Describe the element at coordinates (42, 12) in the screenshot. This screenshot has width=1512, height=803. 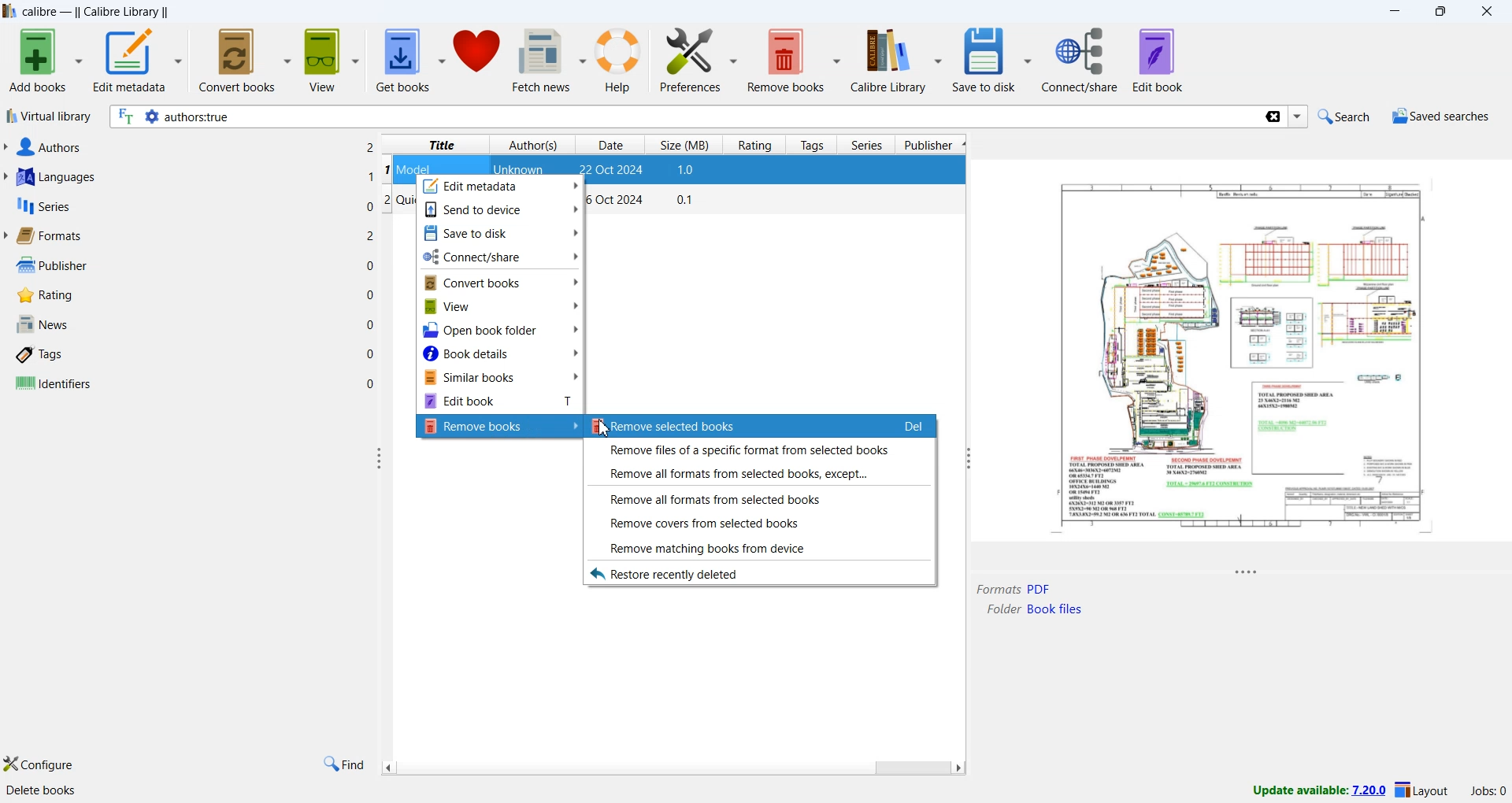
I see `app name` at that location.